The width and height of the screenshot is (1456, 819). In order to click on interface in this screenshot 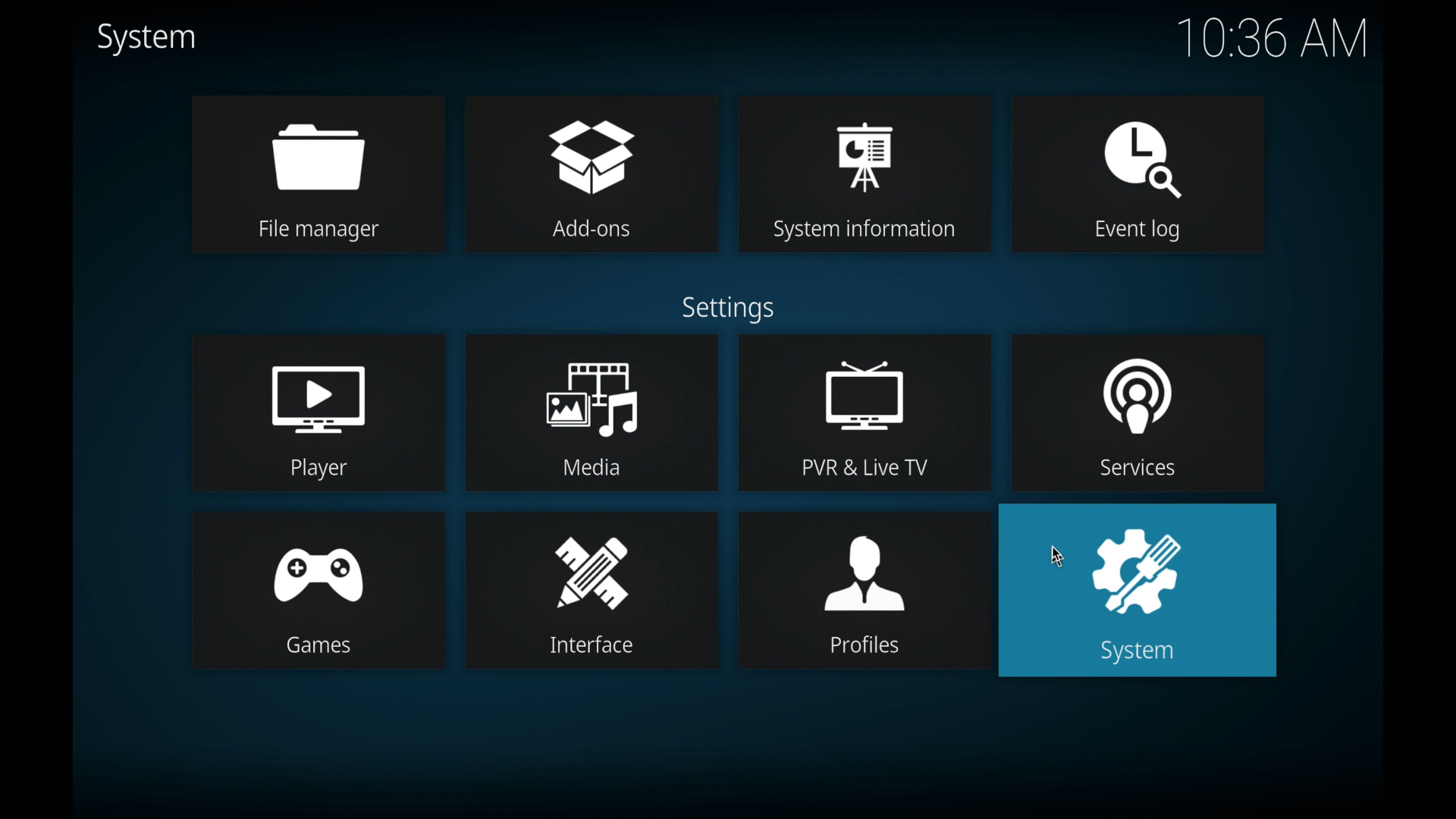, I will do `click(593, 591)`.